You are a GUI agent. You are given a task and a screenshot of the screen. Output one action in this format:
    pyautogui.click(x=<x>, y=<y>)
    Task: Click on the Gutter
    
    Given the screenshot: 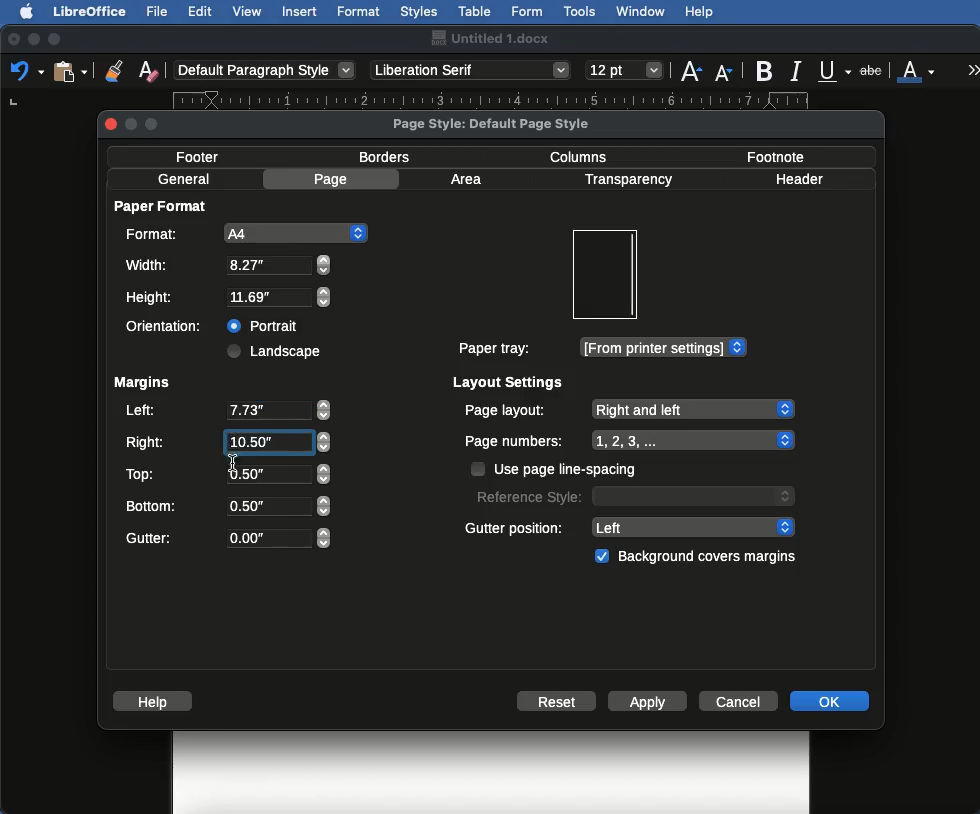 What is the action you would take?
    pyautogui.click(x=228, y=539)
    